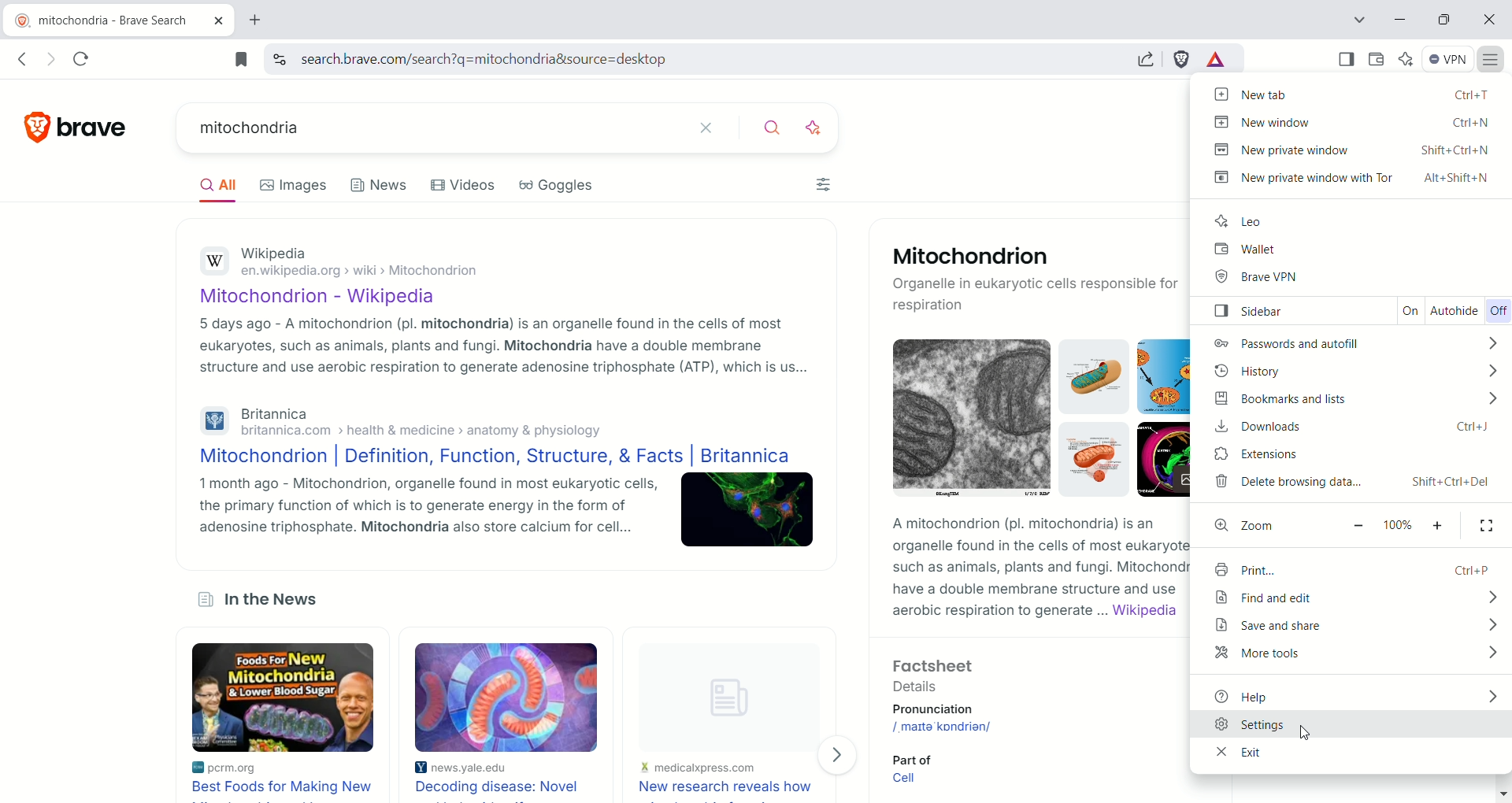 The height and width of the screenshot is (803, 1512). What do you see at coordinates (954, 727) in the screenshot?
I see `/ˌmaɪtəˈkɒndriən/` at bounding box center [954, 727].